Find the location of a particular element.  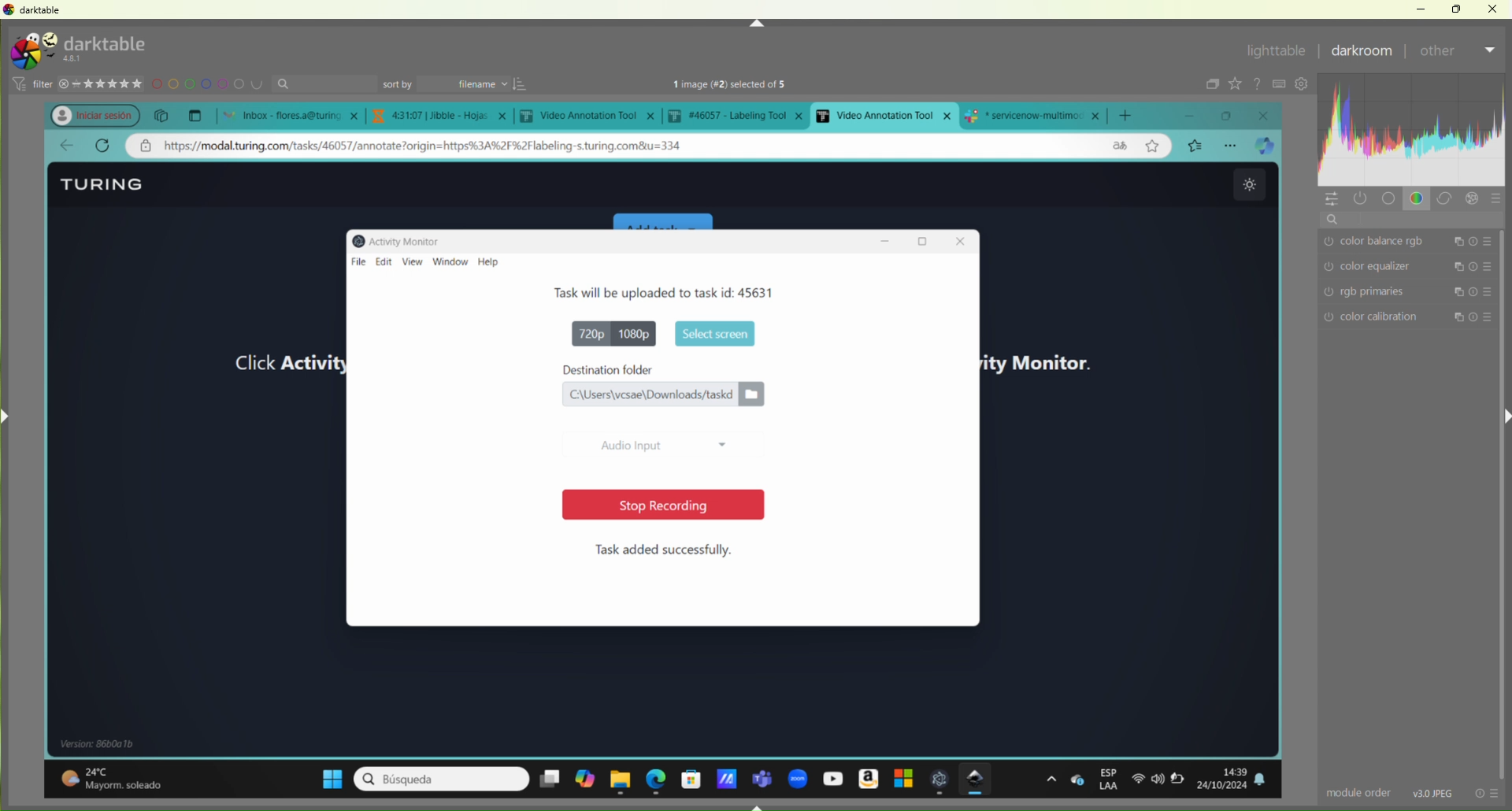

desktopms is located at coordinates (549, 779).